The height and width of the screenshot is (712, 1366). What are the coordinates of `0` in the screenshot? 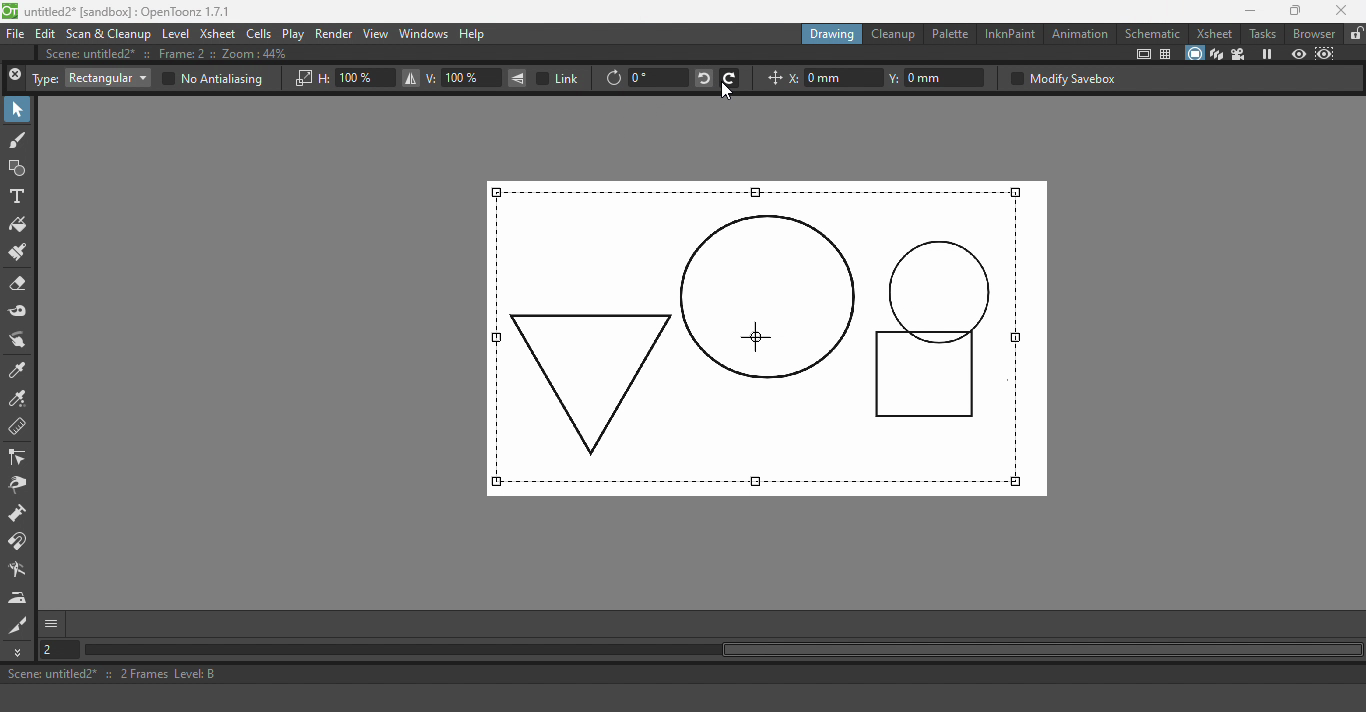 It's located at (657, 77).